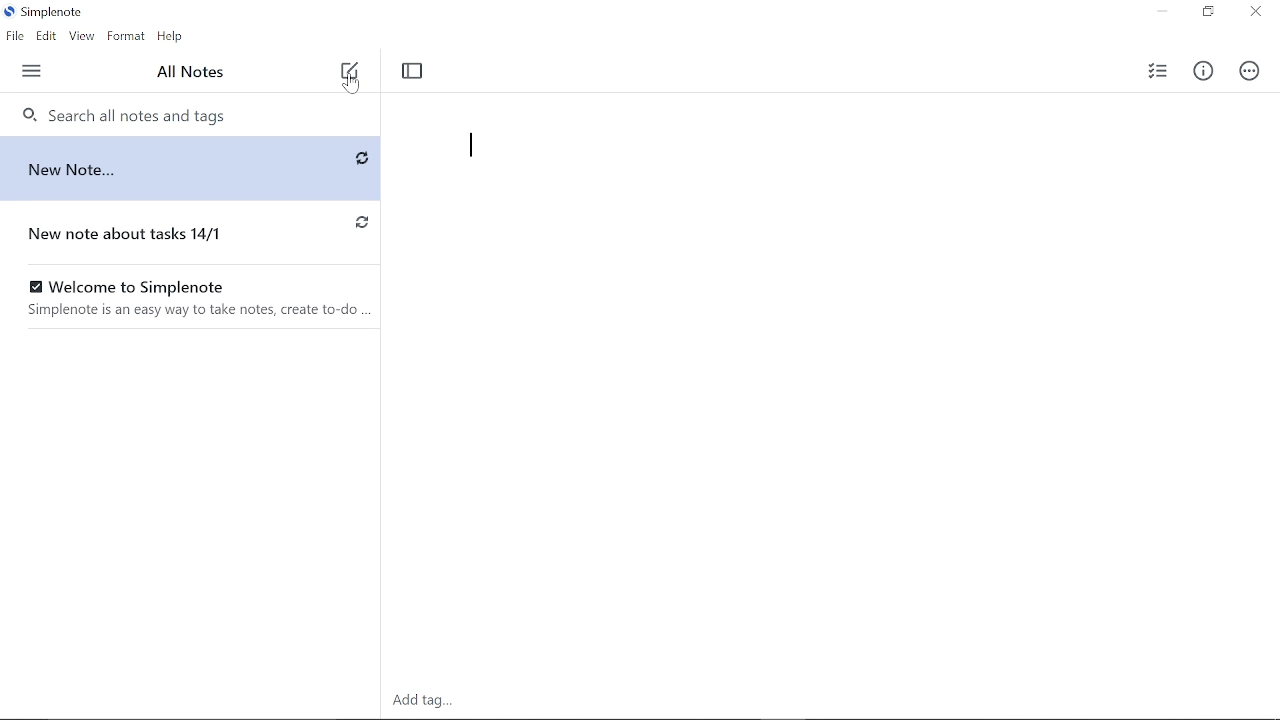 The width and height of the screenshot is (1280, 720). Describe the element at coordinates (1207, 13) in the screenshot. I see `restore down` at that location.